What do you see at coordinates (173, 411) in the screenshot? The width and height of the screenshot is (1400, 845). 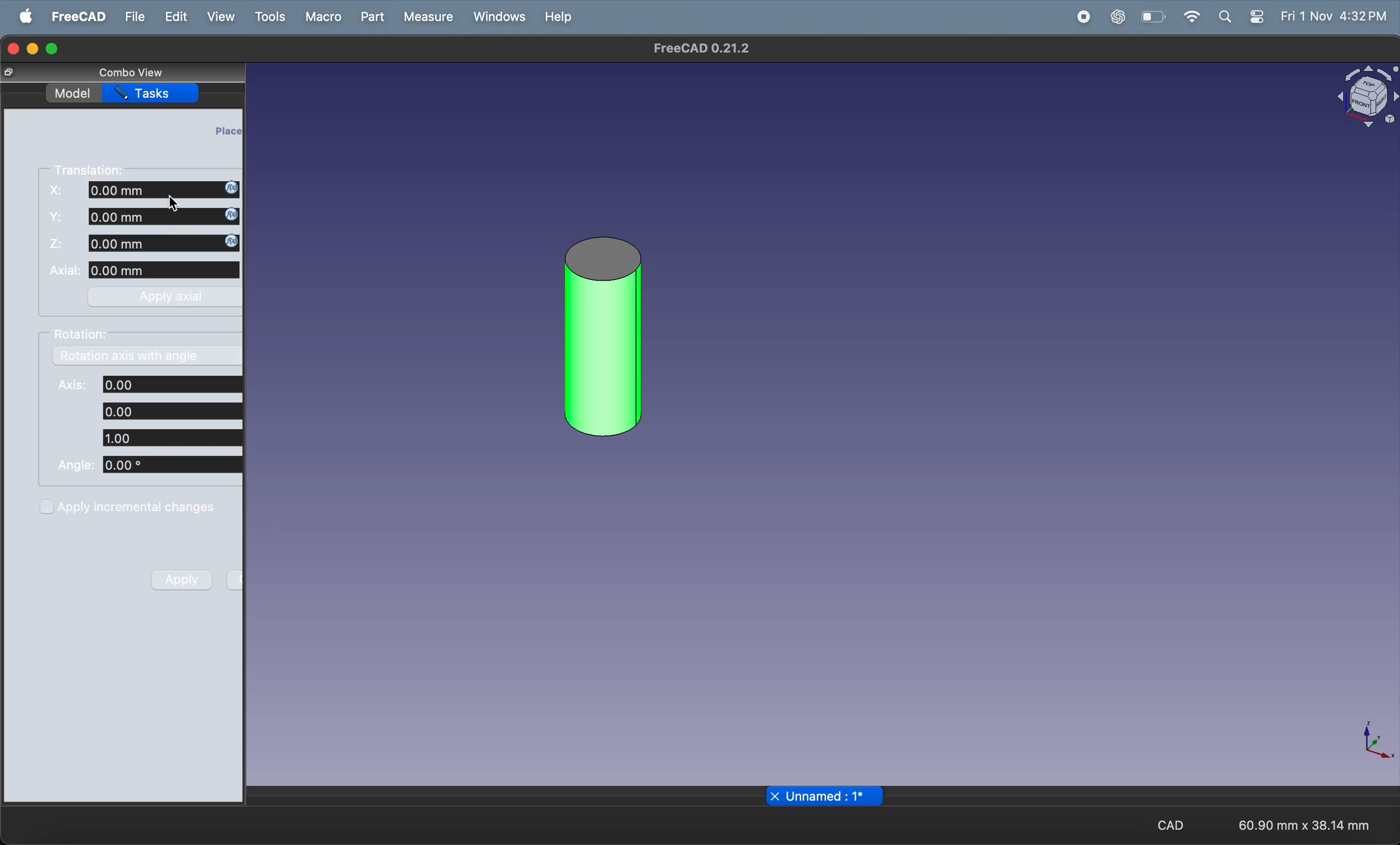 I see `axis coordinates` at bounding box center [173, 411].